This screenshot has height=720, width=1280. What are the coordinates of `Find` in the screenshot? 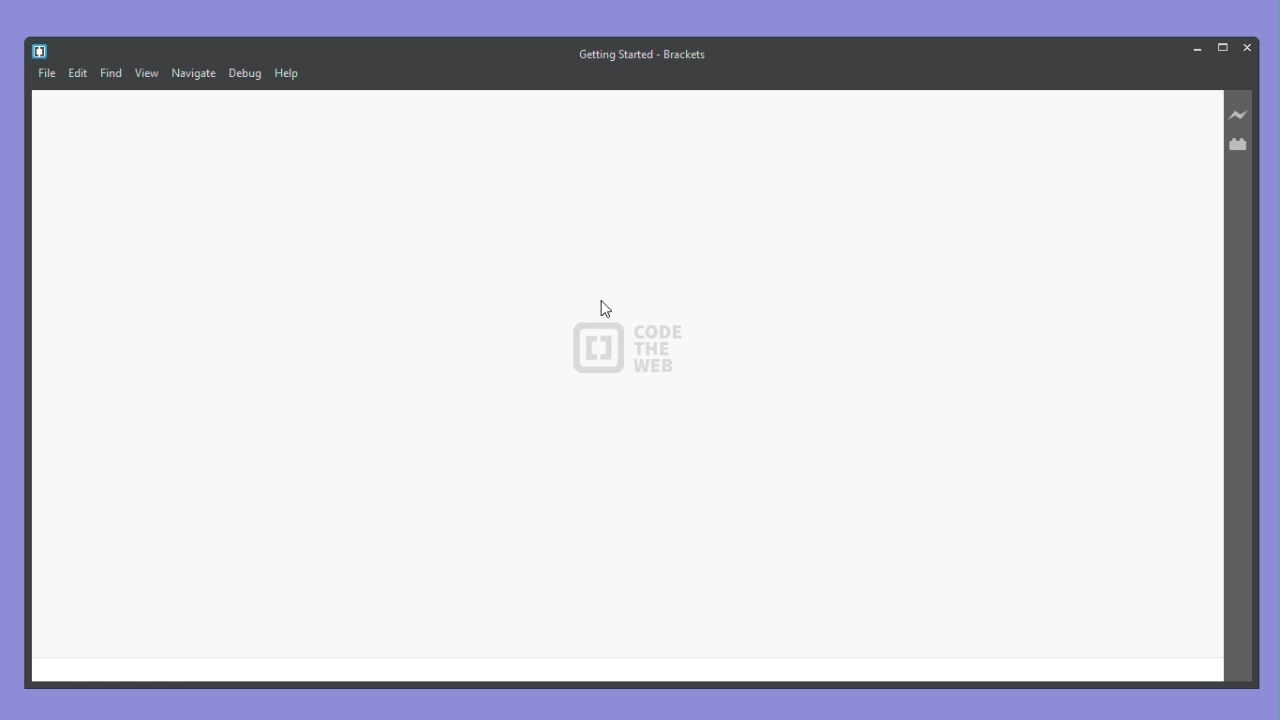 It's located at (112, 75).